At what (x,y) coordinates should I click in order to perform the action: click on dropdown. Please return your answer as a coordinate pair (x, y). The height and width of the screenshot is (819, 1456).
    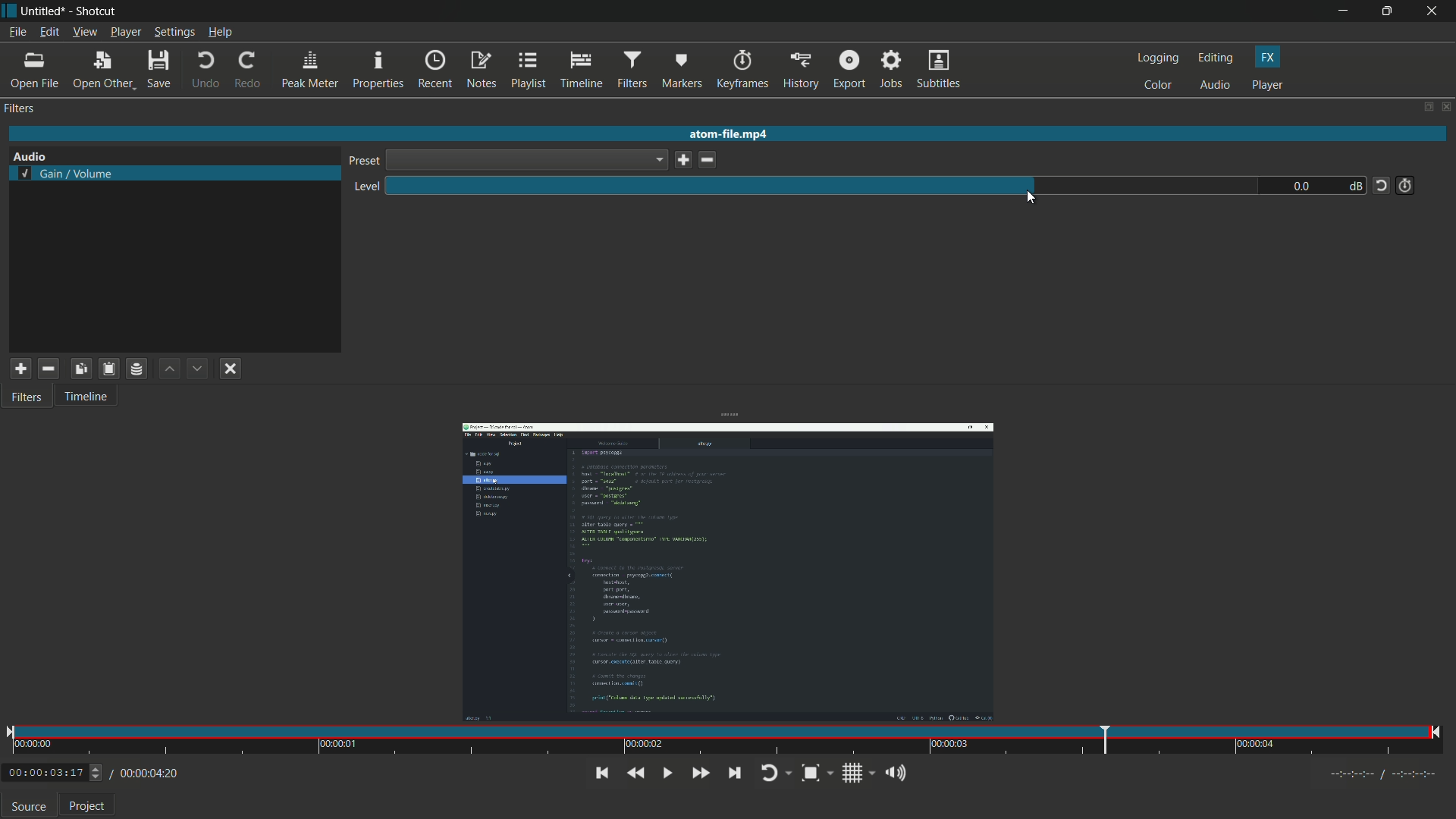
    Looking at the image, I should click on (526, 160).